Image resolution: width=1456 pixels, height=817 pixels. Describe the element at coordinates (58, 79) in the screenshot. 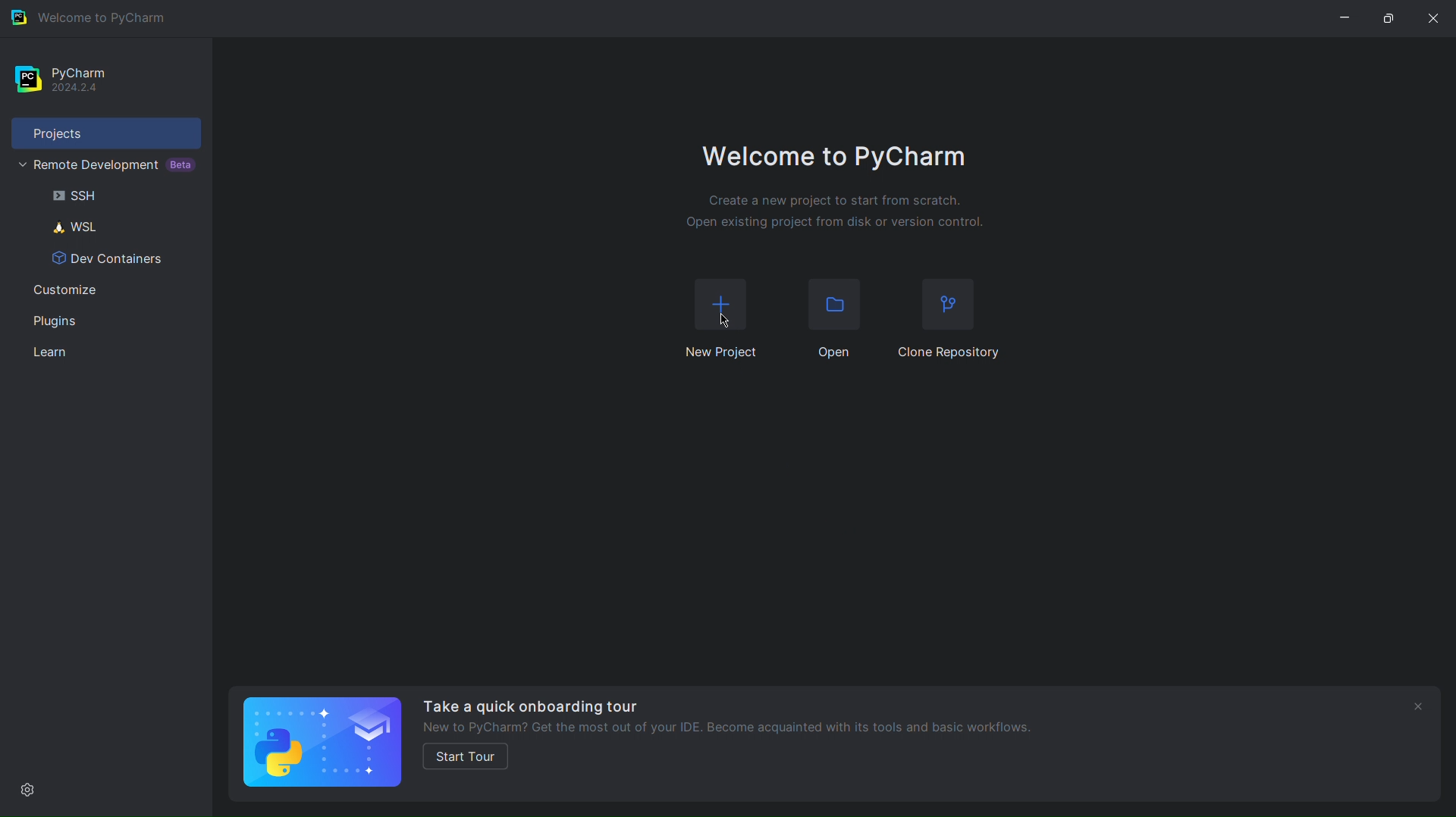

I see `PyCharm` at that location.